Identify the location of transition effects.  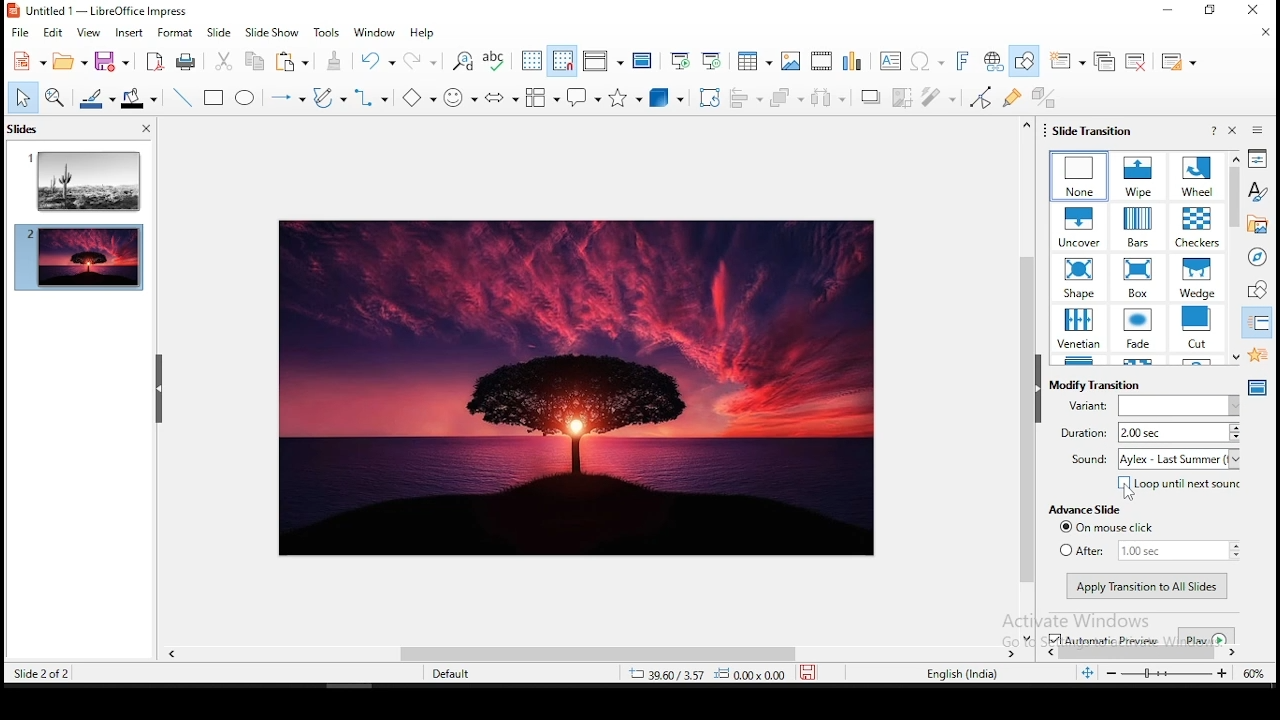
(1137, 227).